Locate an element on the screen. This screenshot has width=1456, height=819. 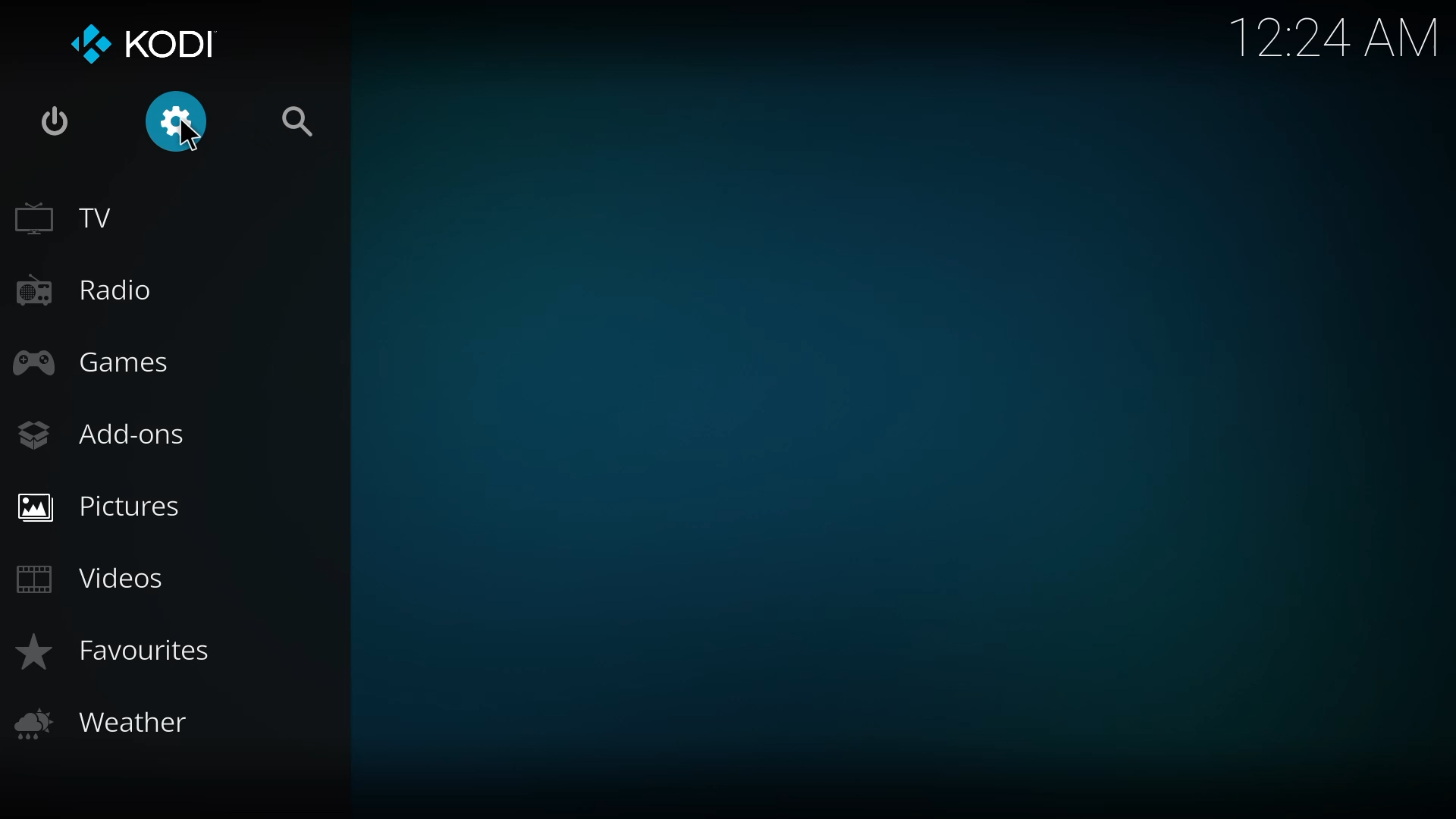
Cursor is located at coordinates (190, 135).